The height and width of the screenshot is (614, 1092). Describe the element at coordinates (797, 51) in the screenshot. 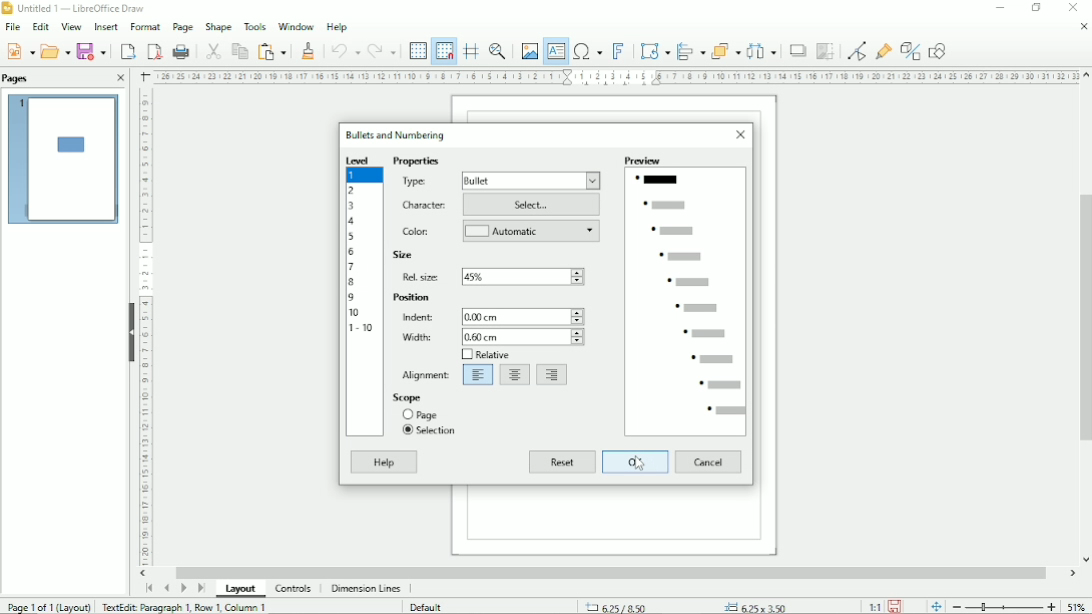

I see `Shadow` at that location.